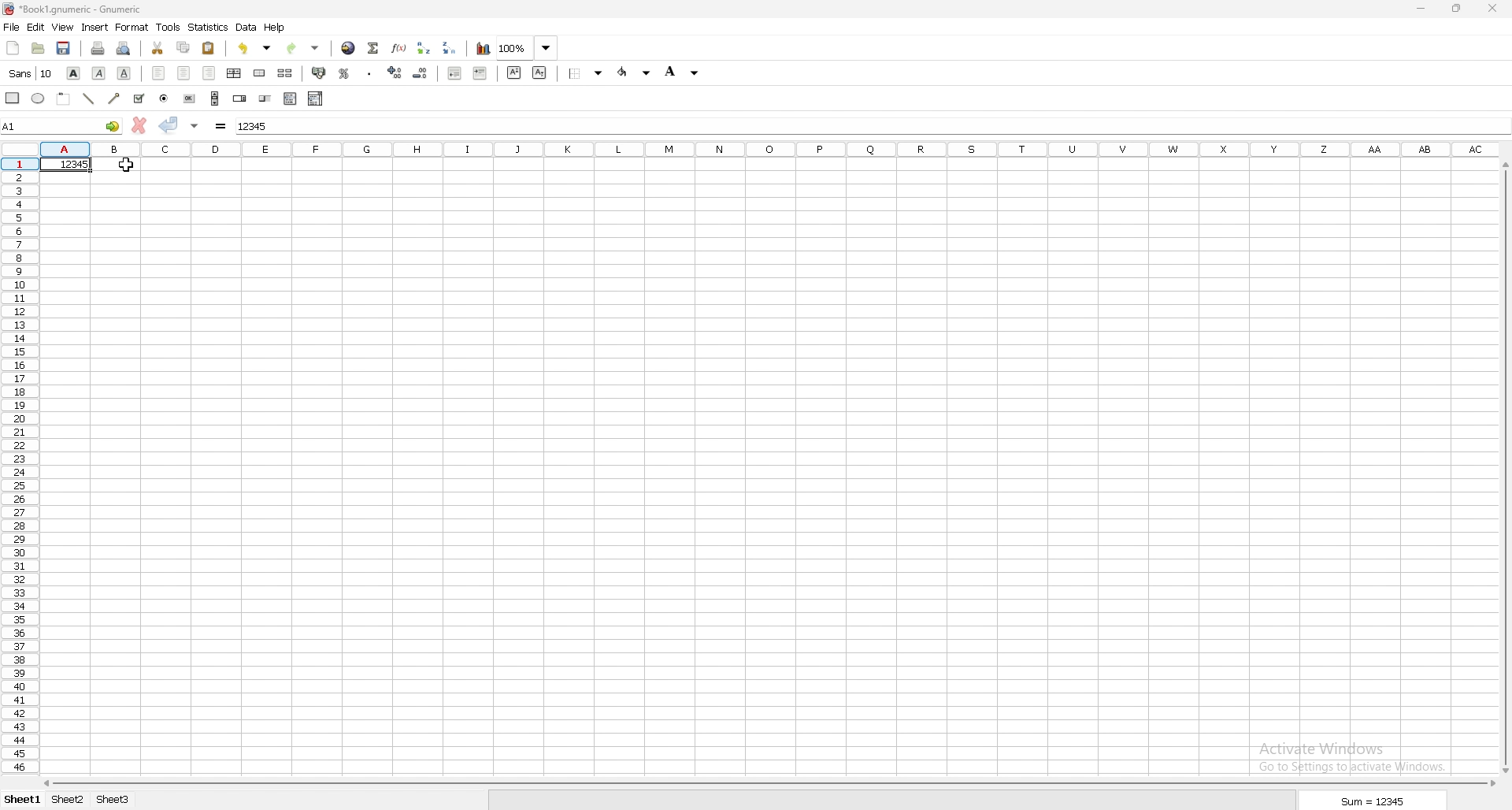 Image resolution: width=1512 pixels, height=810 pixels. What do you see at coordinates (32, 73) in the screenshot?
I see `font` at bounding box center [32, 73].